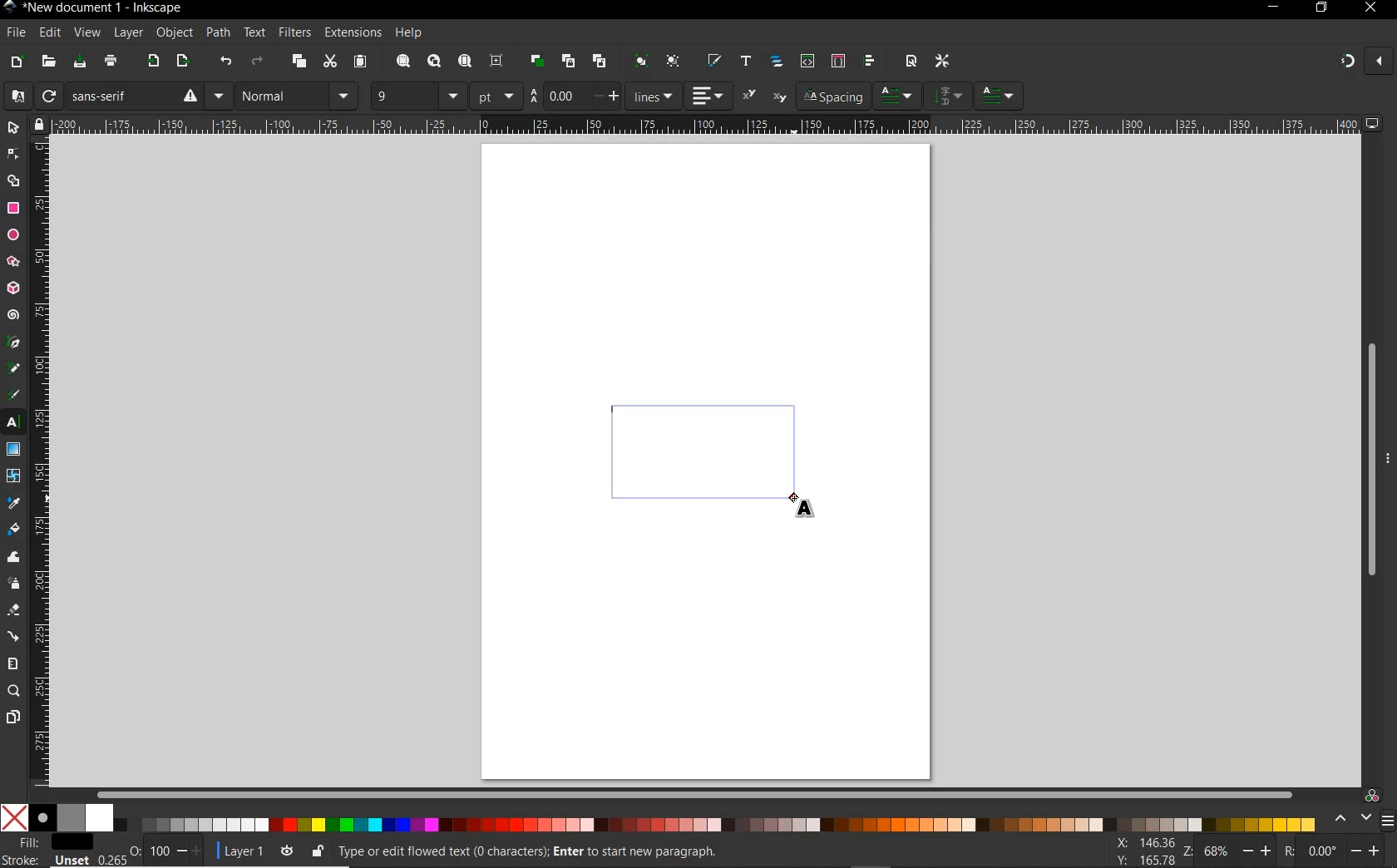  I want to click on measure tool, so click(13, 663).